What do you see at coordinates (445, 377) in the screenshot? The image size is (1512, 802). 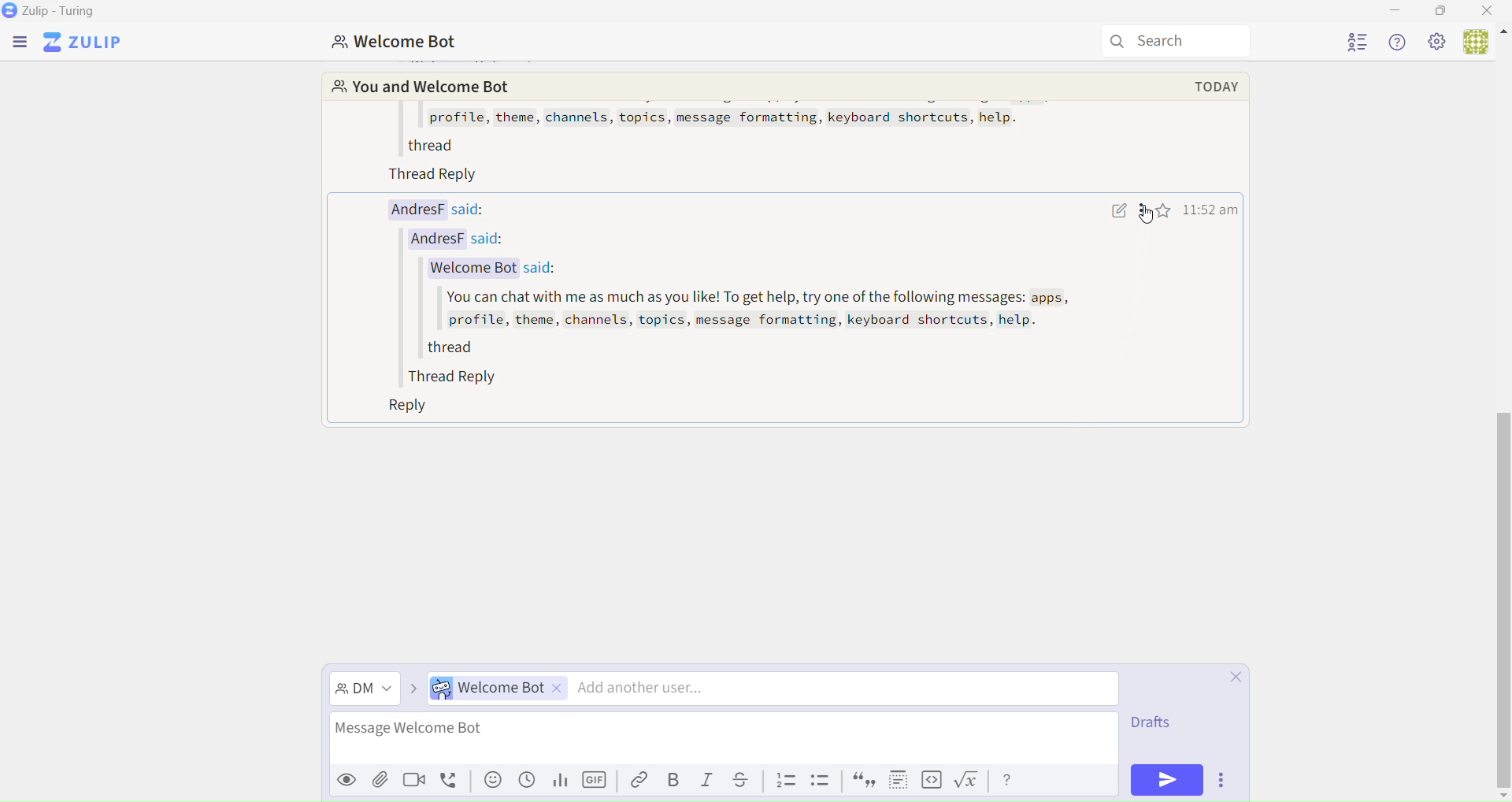 I see `Thread Reply` at bounding box center [445, 377].